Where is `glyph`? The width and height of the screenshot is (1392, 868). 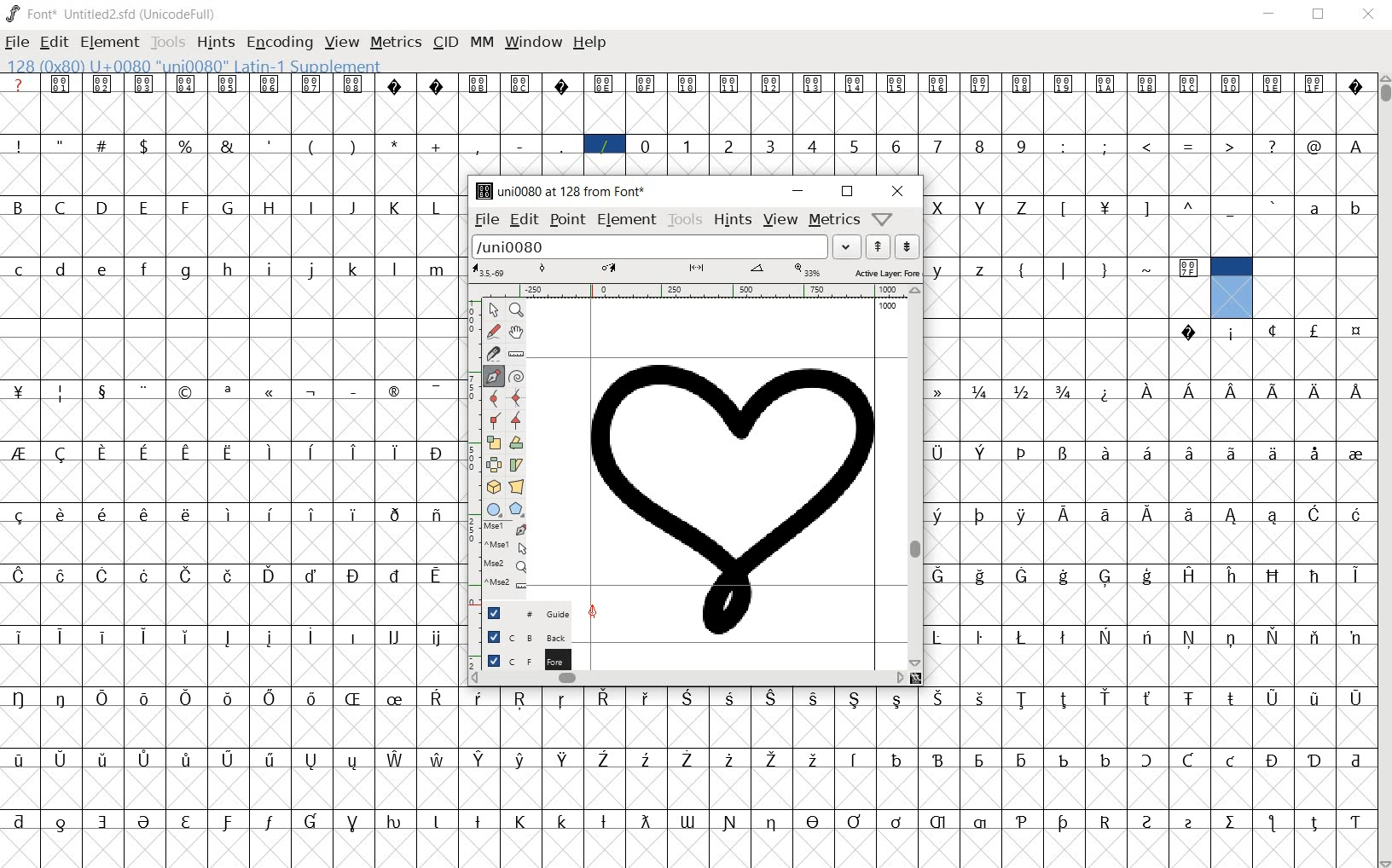
glyph is located at coordinates (1231, 211).